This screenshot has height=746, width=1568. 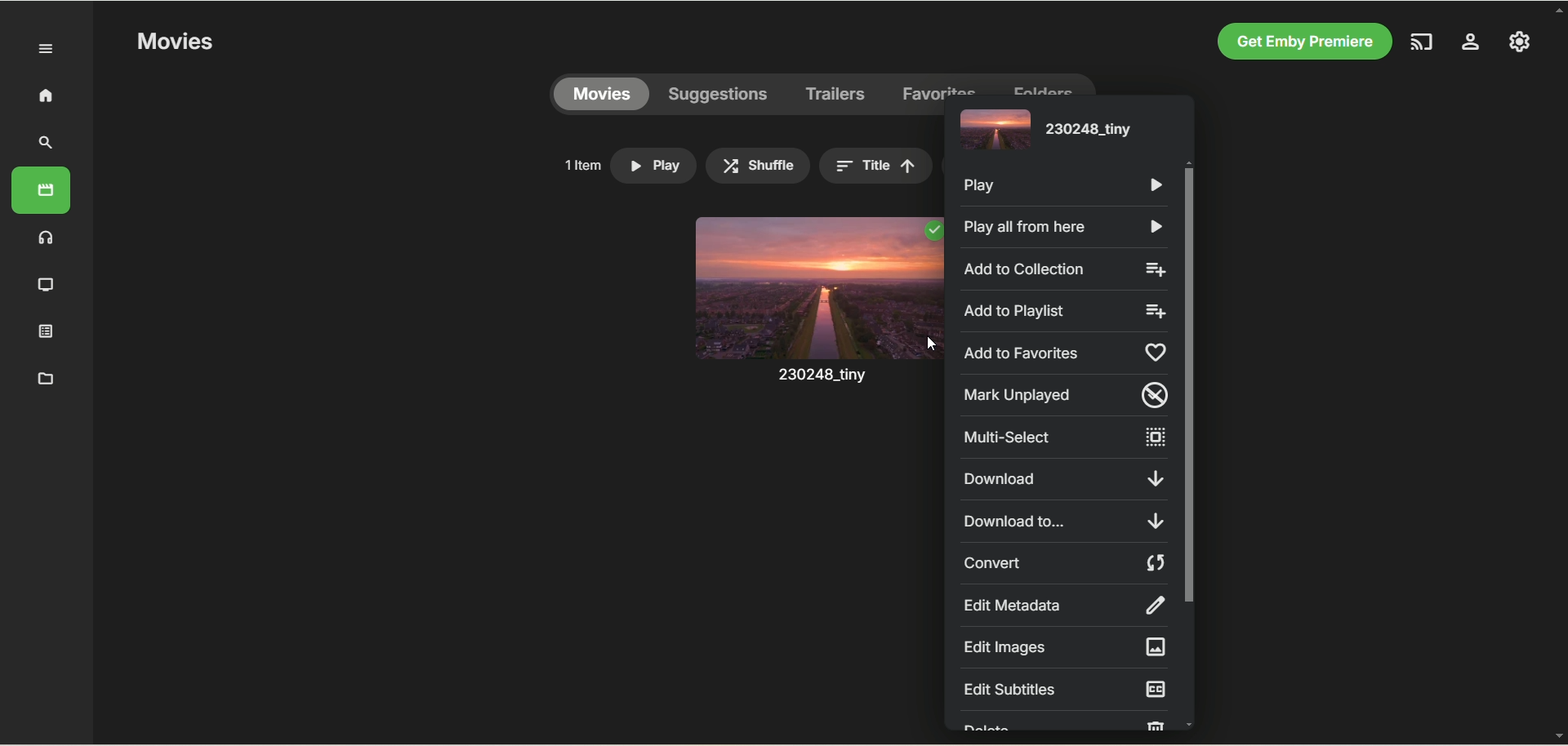 What do you see at coordinates (42, 377) in the screenshot?
I see `metadata manager` at bounding box center [42, 377].